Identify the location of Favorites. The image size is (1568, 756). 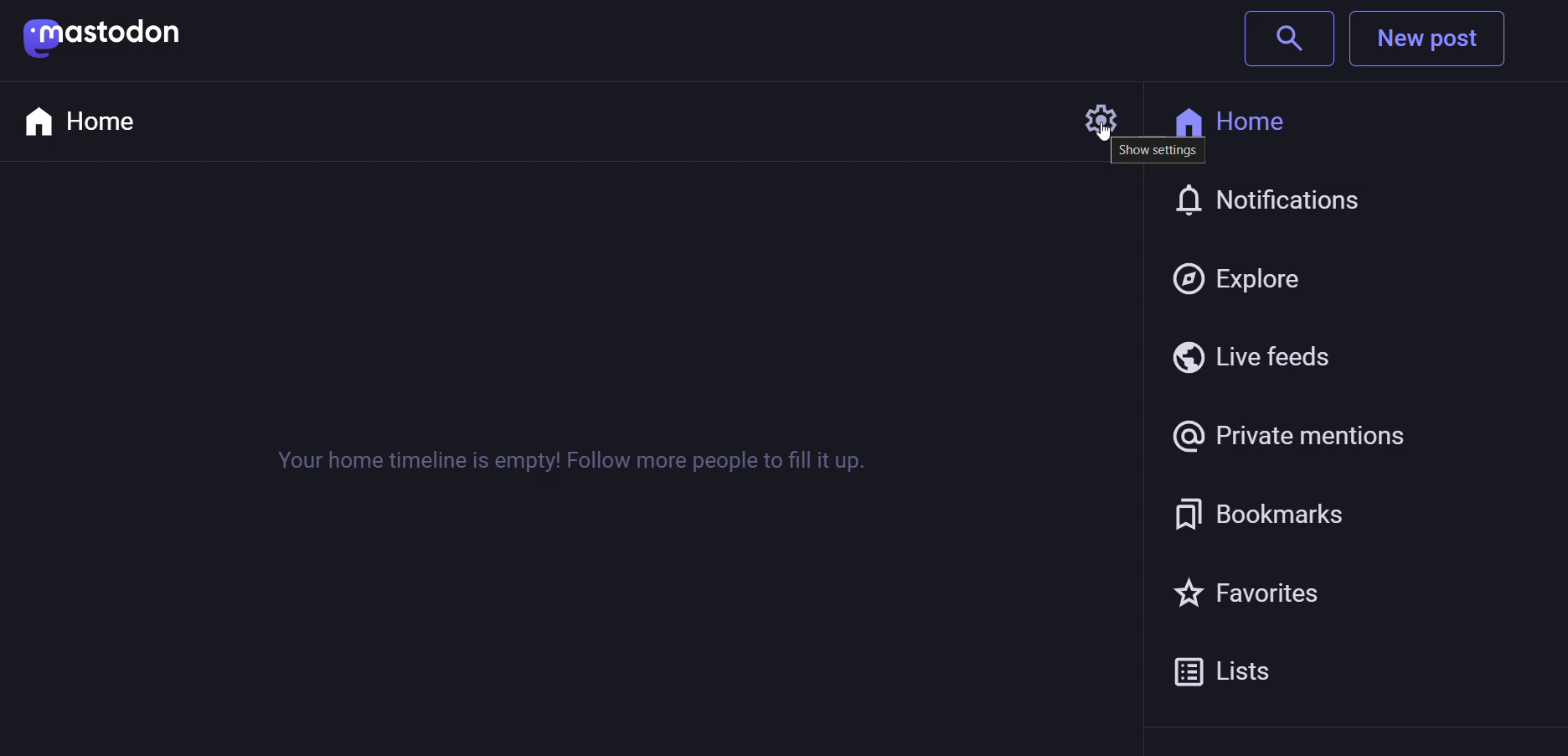
(1274, 597).